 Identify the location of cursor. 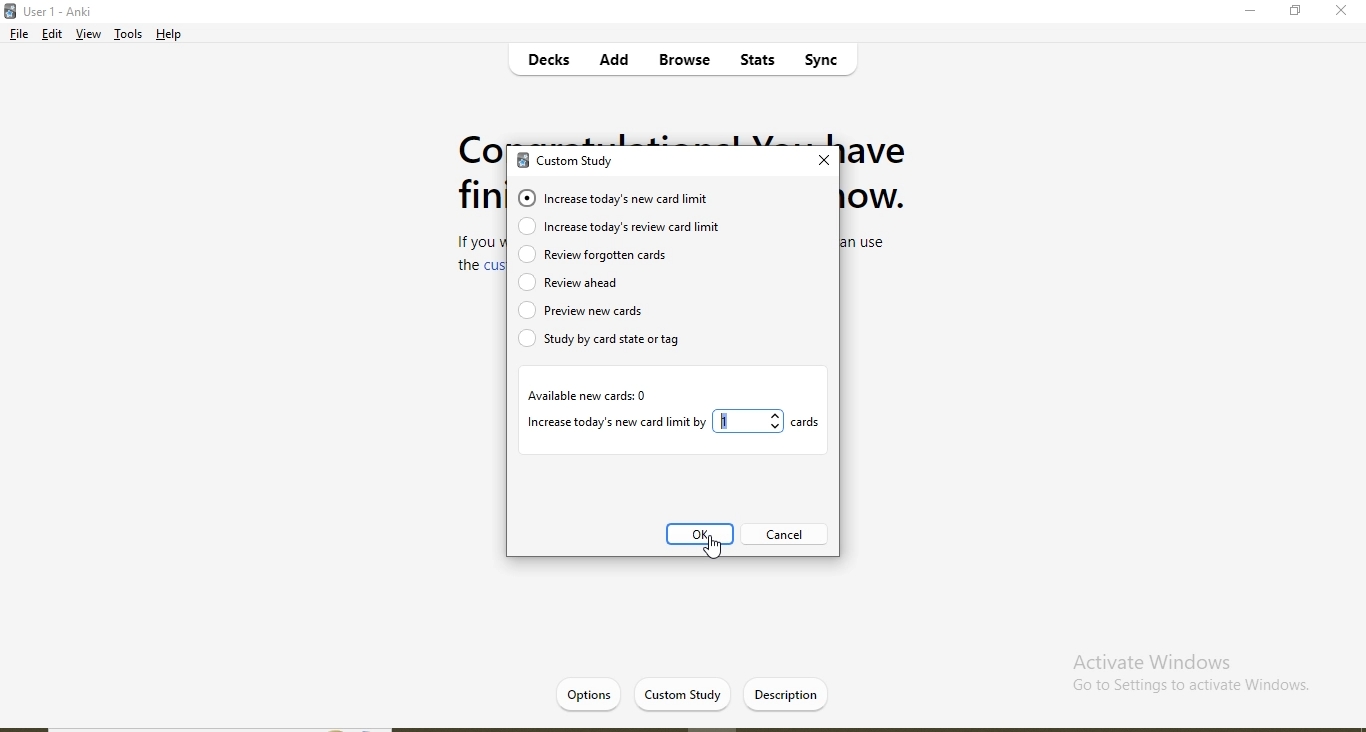
(718, 550).